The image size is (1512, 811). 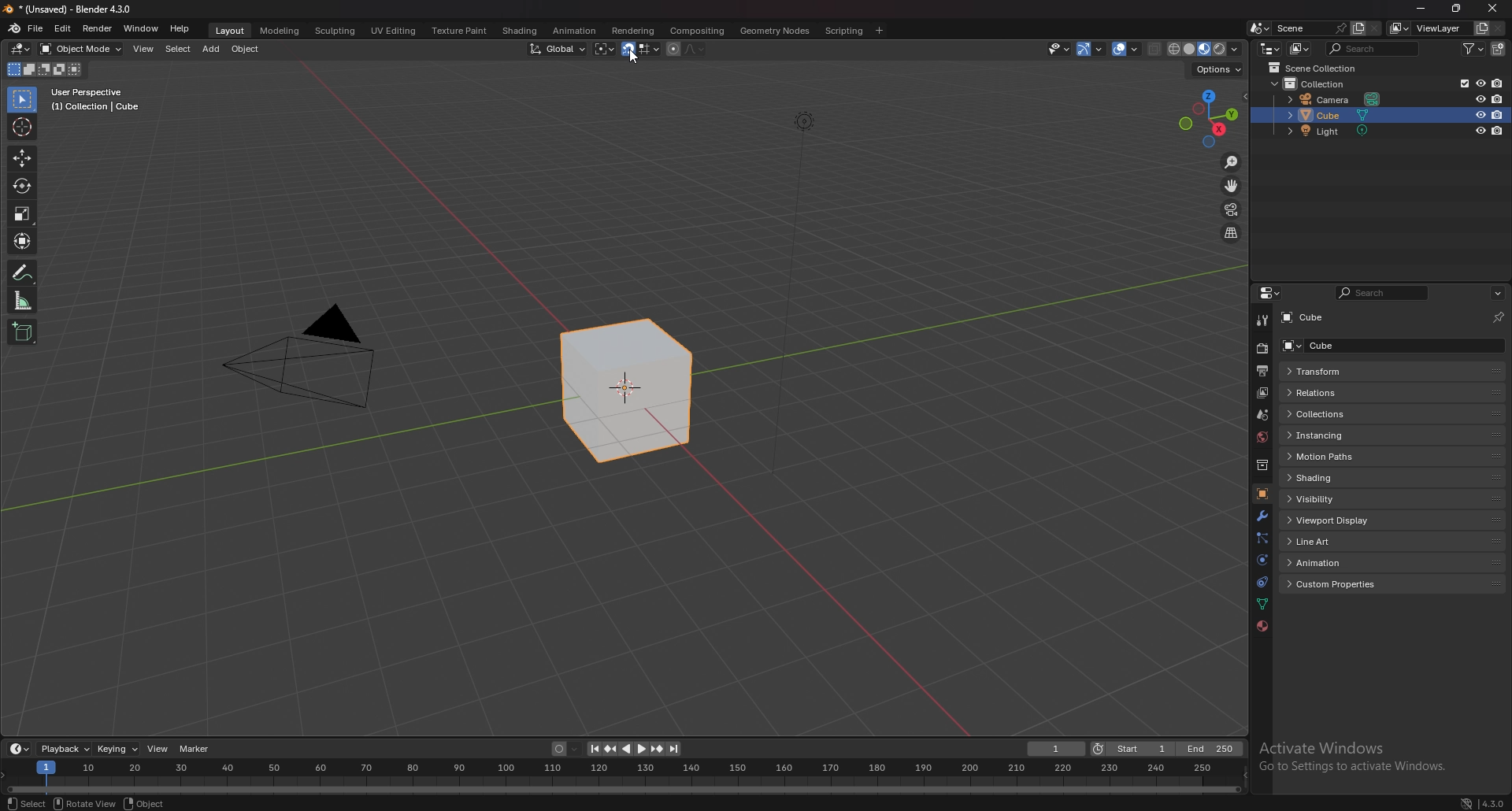 What do you see at coordinates (312, 355) in the screenshot?
I see `camera` at bounding box center [312, 355].